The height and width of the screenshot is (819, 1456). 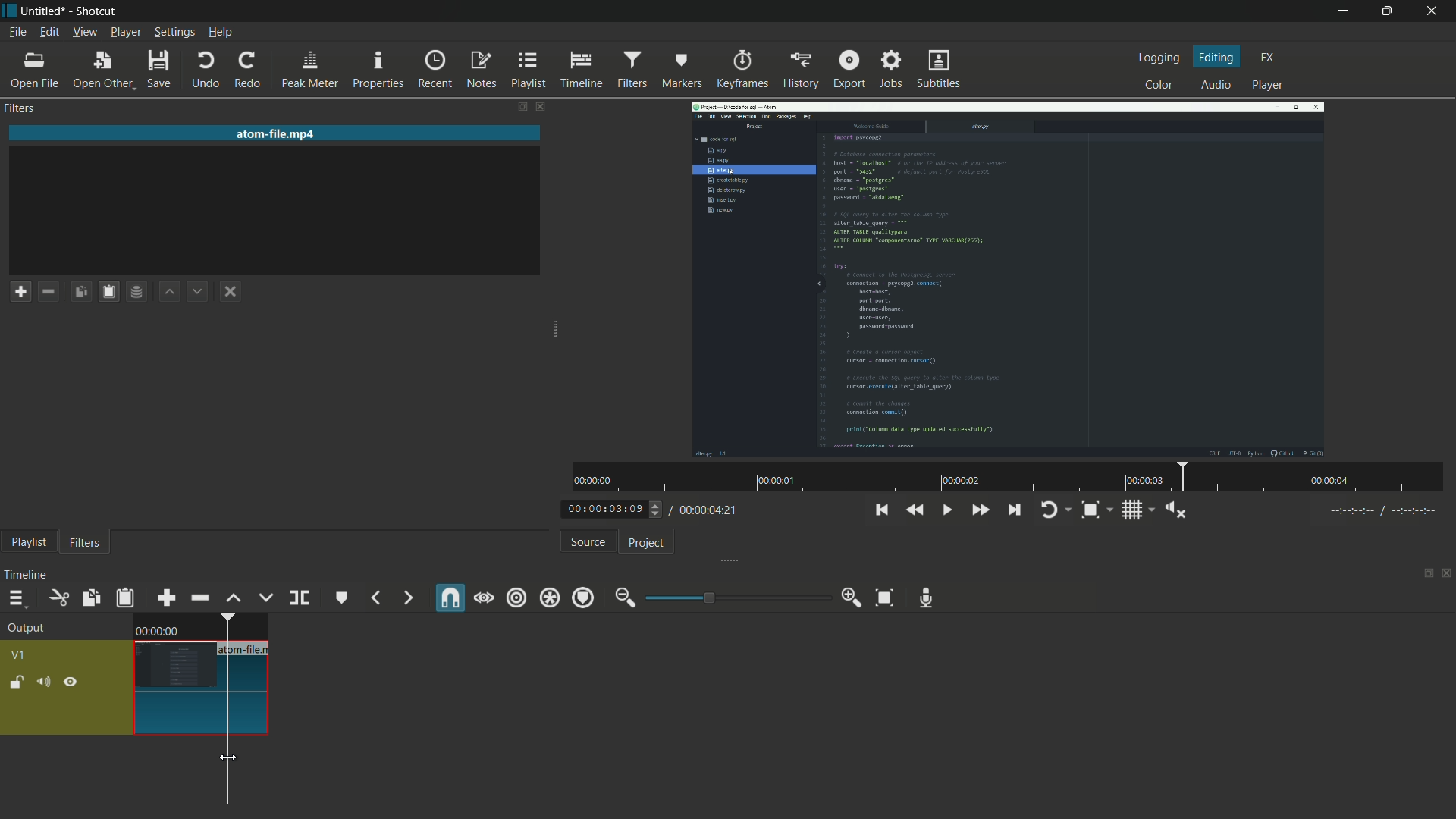 I want to click on deselect the filter, so click(x=231, y=293).